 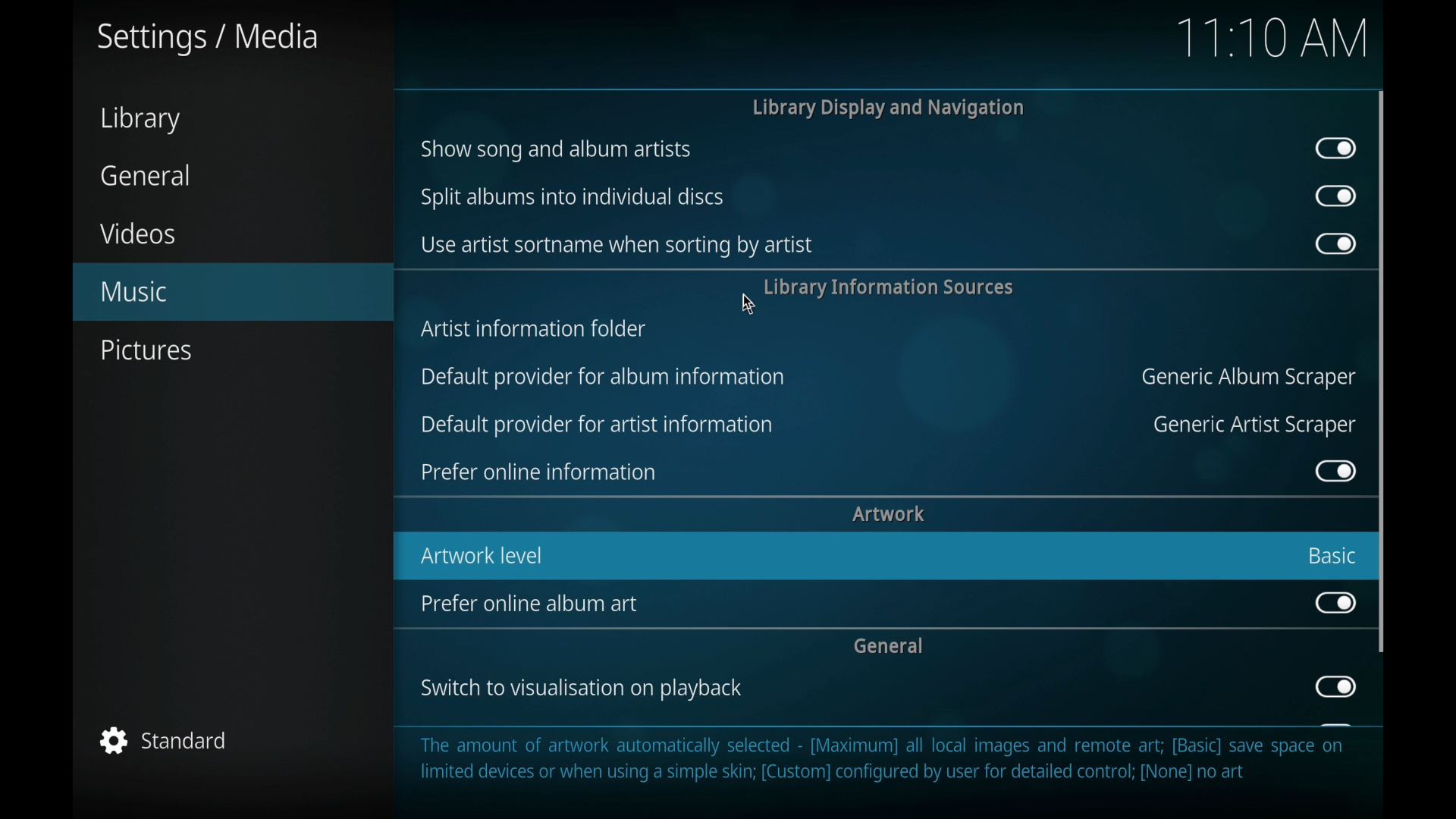 I want to click on toggle button, so click(x=1335, y=470).